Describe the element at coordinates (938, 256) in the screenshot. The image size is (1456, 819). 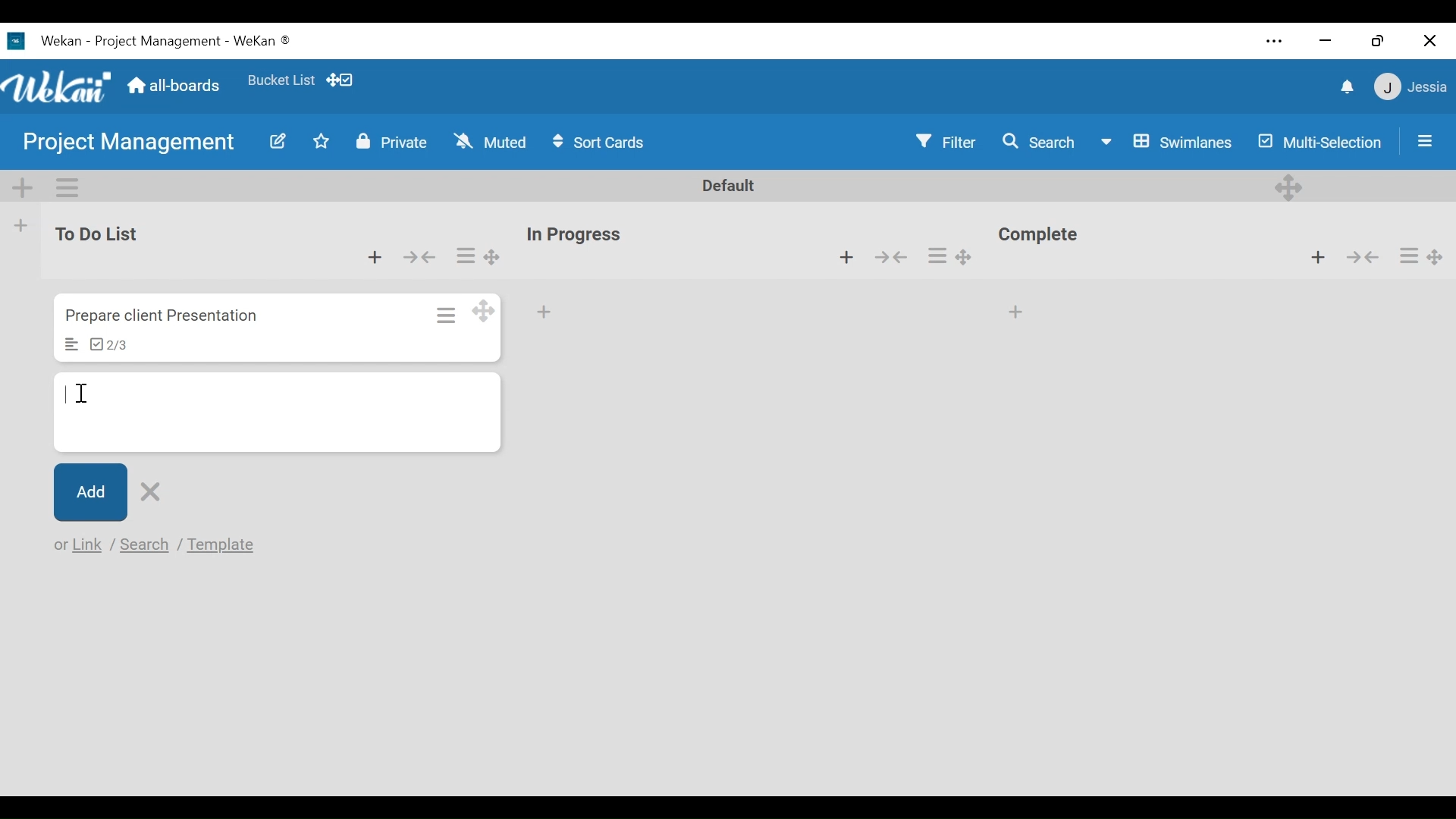
I see `Card actions` at that location.